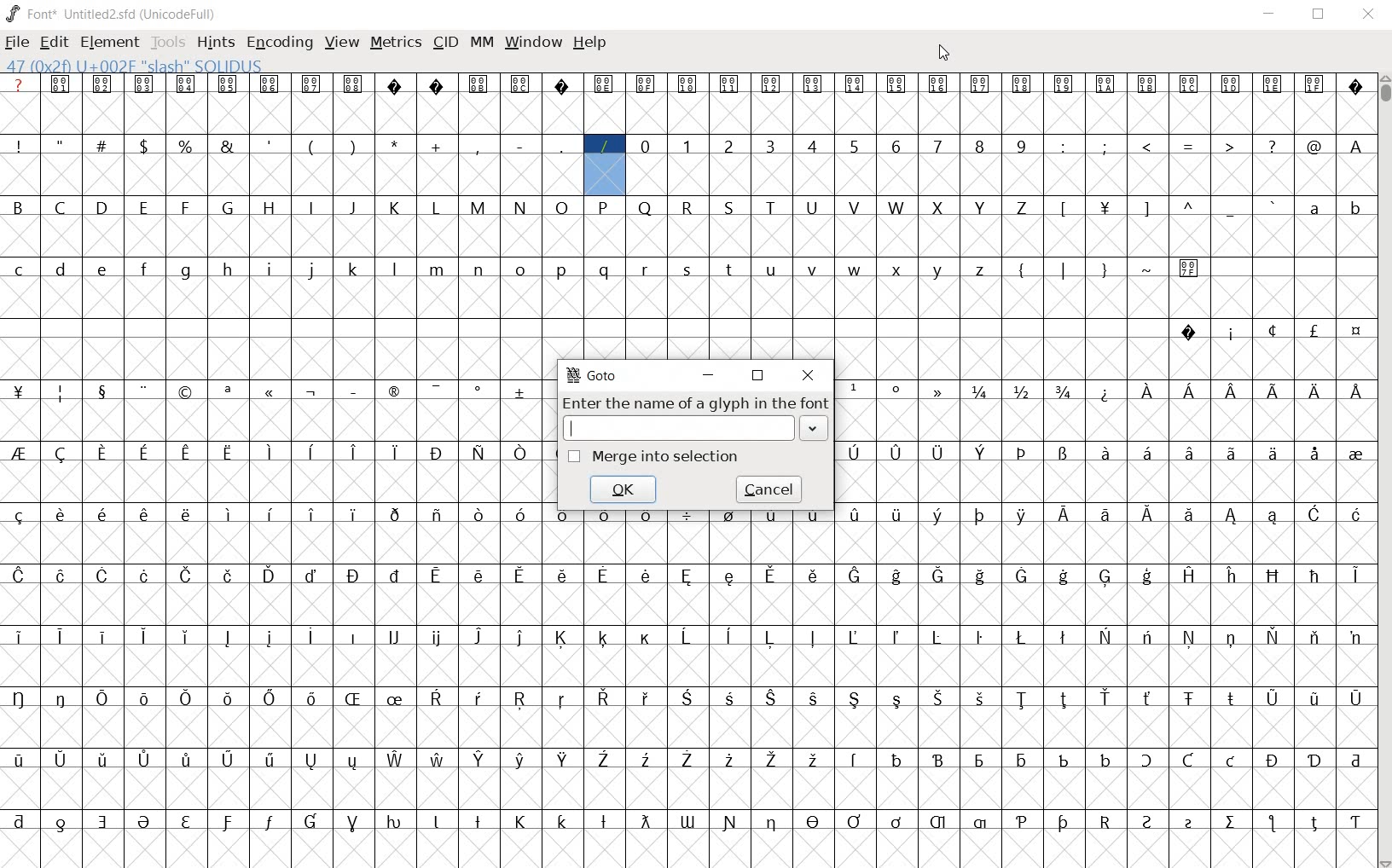  I want to click on glyph, so click(60, 207).